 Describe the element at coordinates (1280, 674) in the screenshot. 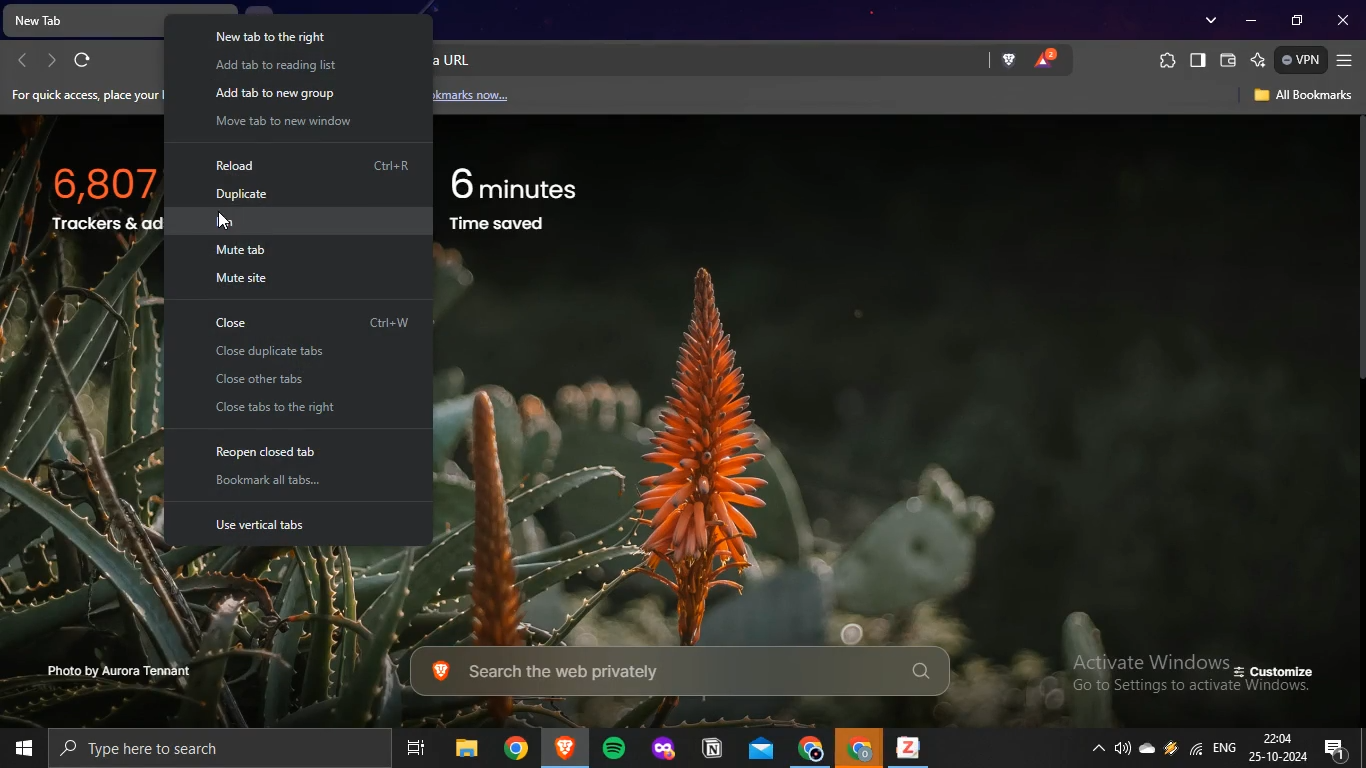

I see `customize` at that location.